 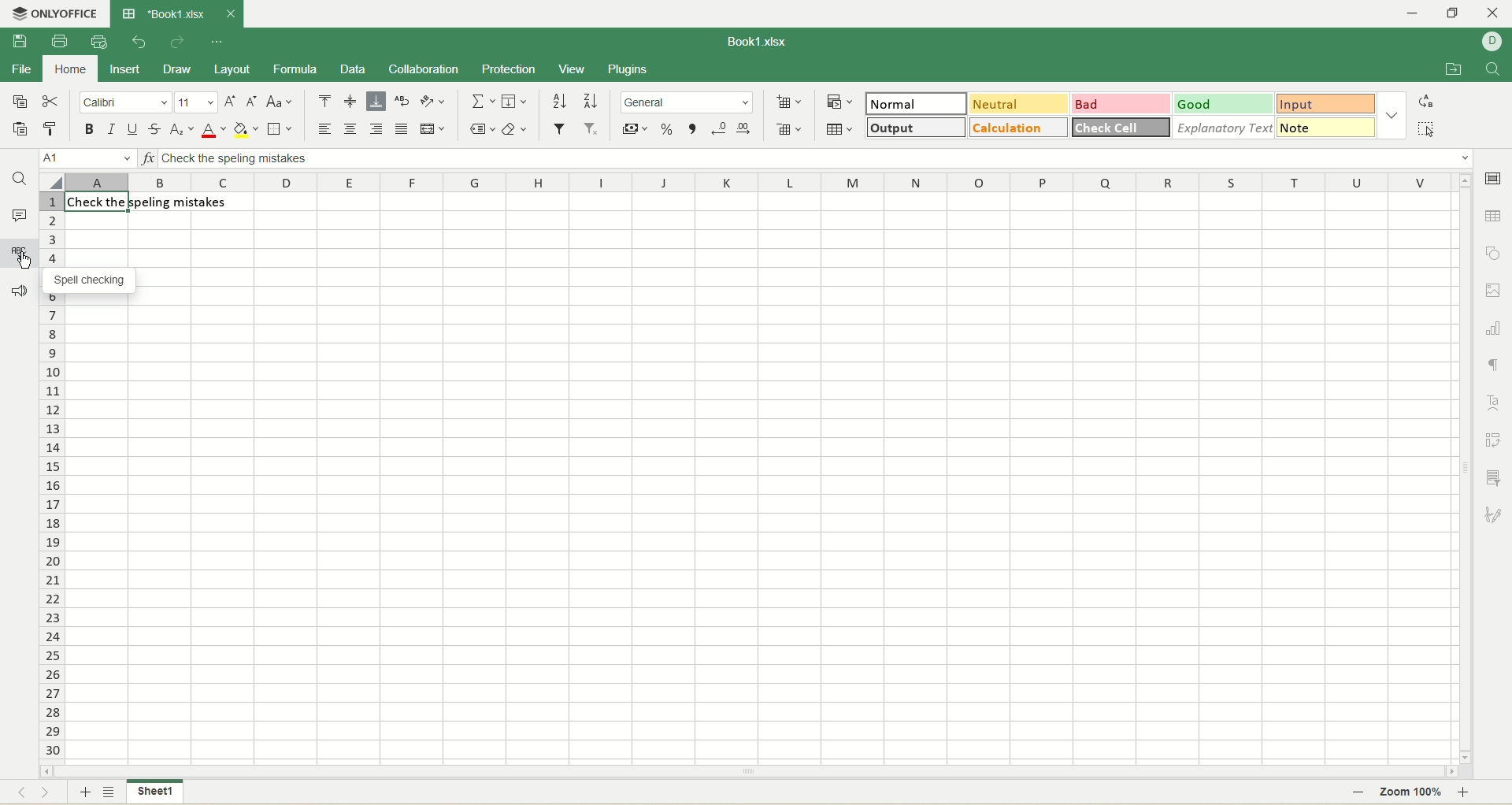 What do you see at coordinates (1455, 14) in the screenshot?
I see `maximize` at bounding box center [1455, 14].